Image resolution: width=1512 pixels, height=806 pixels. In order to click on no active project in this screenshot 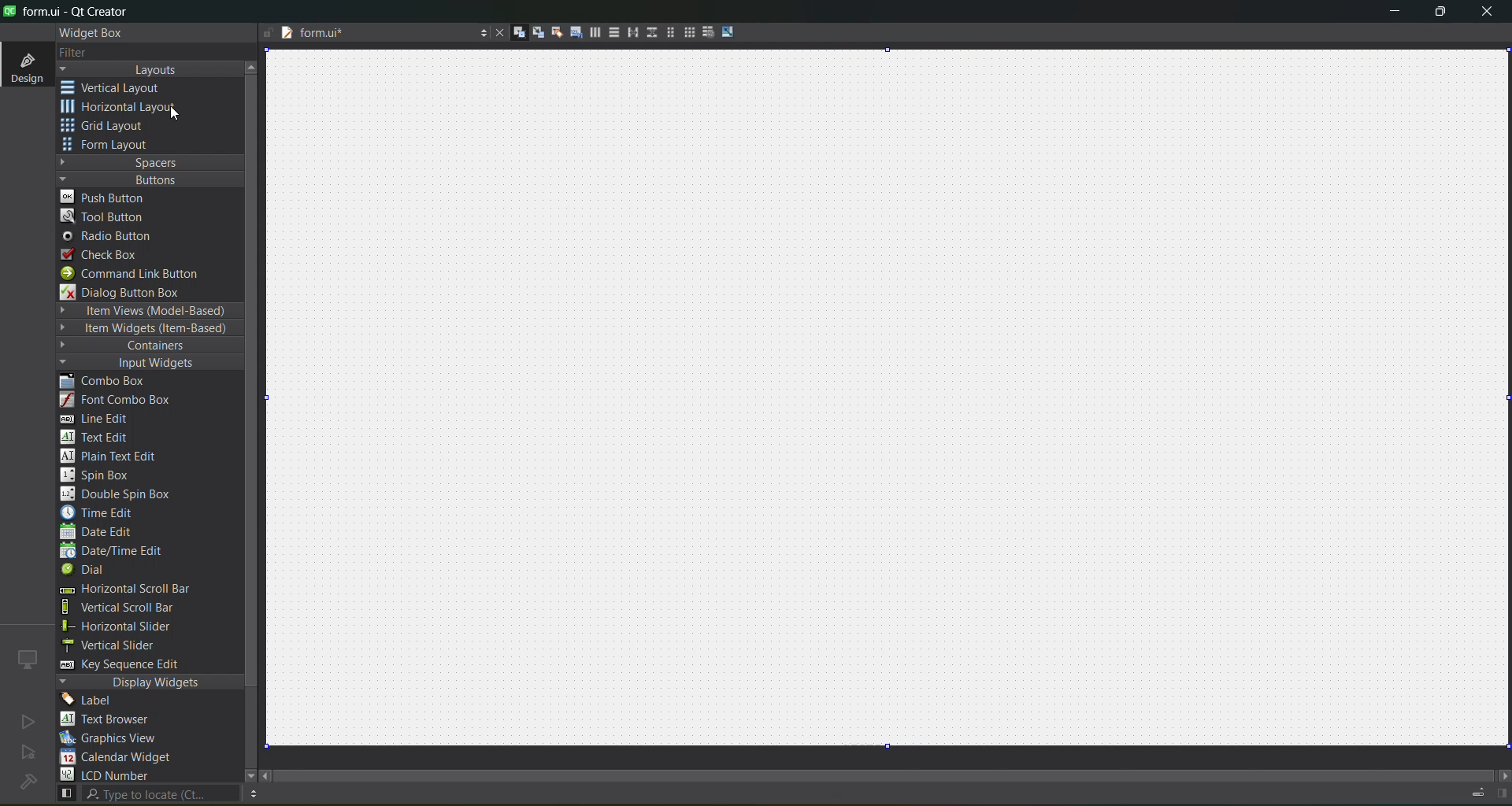, I will do `click(28, 753)`.